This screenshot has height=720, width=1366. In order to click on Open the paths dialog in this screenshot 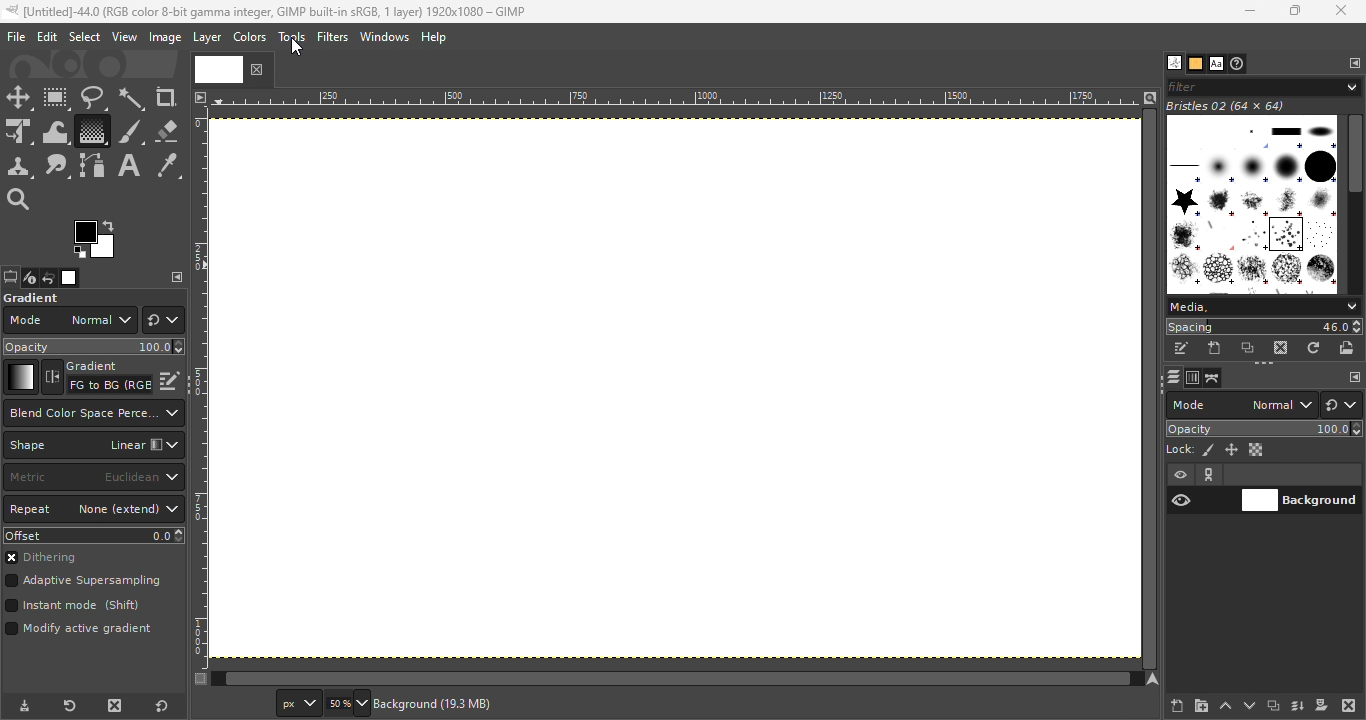, I will do `click(1213, 378)`.